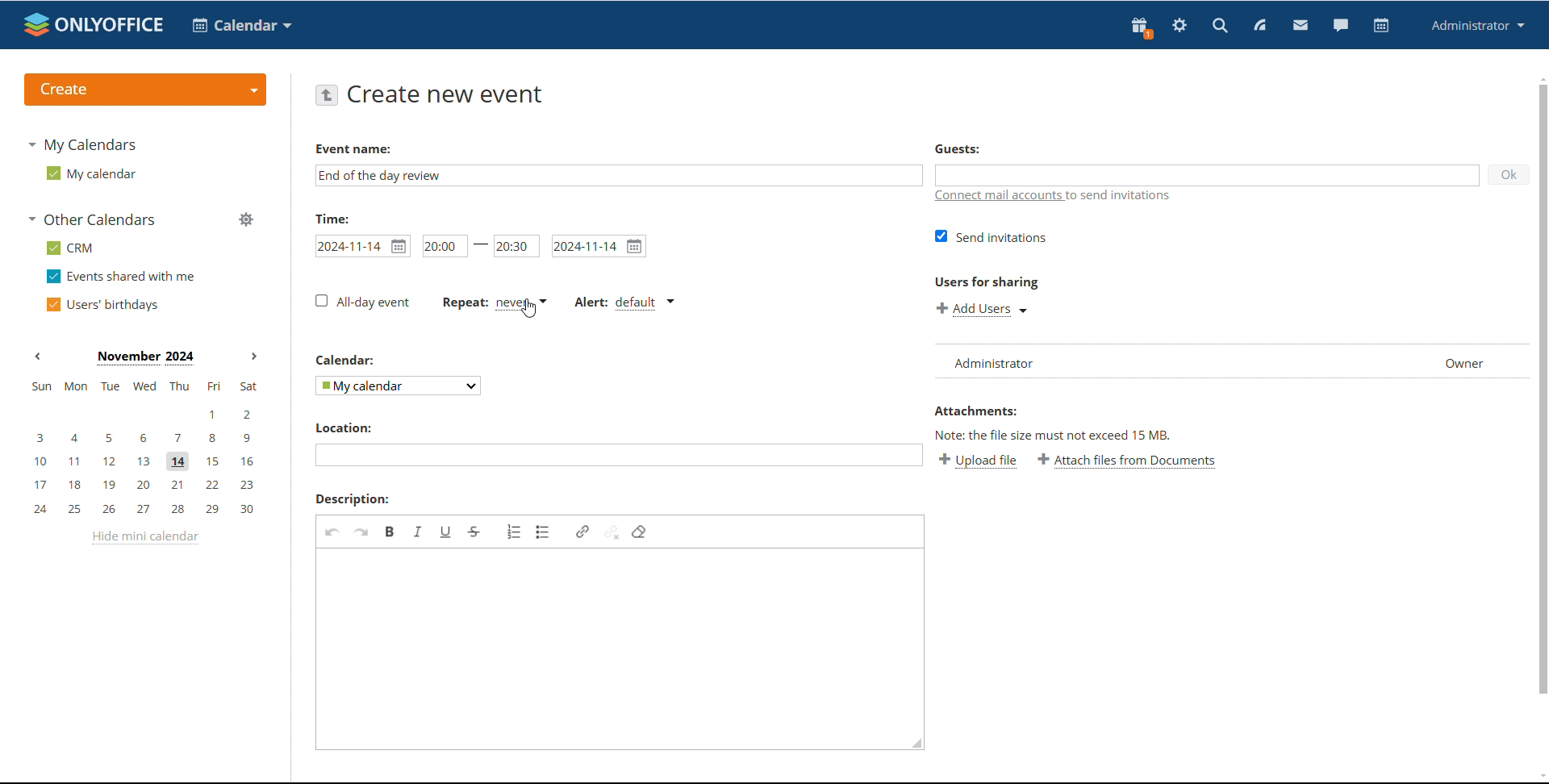  What do you see at coordinates (517, 245) in the screenshot?
I see `end time set` at bounding box center [517, 245].